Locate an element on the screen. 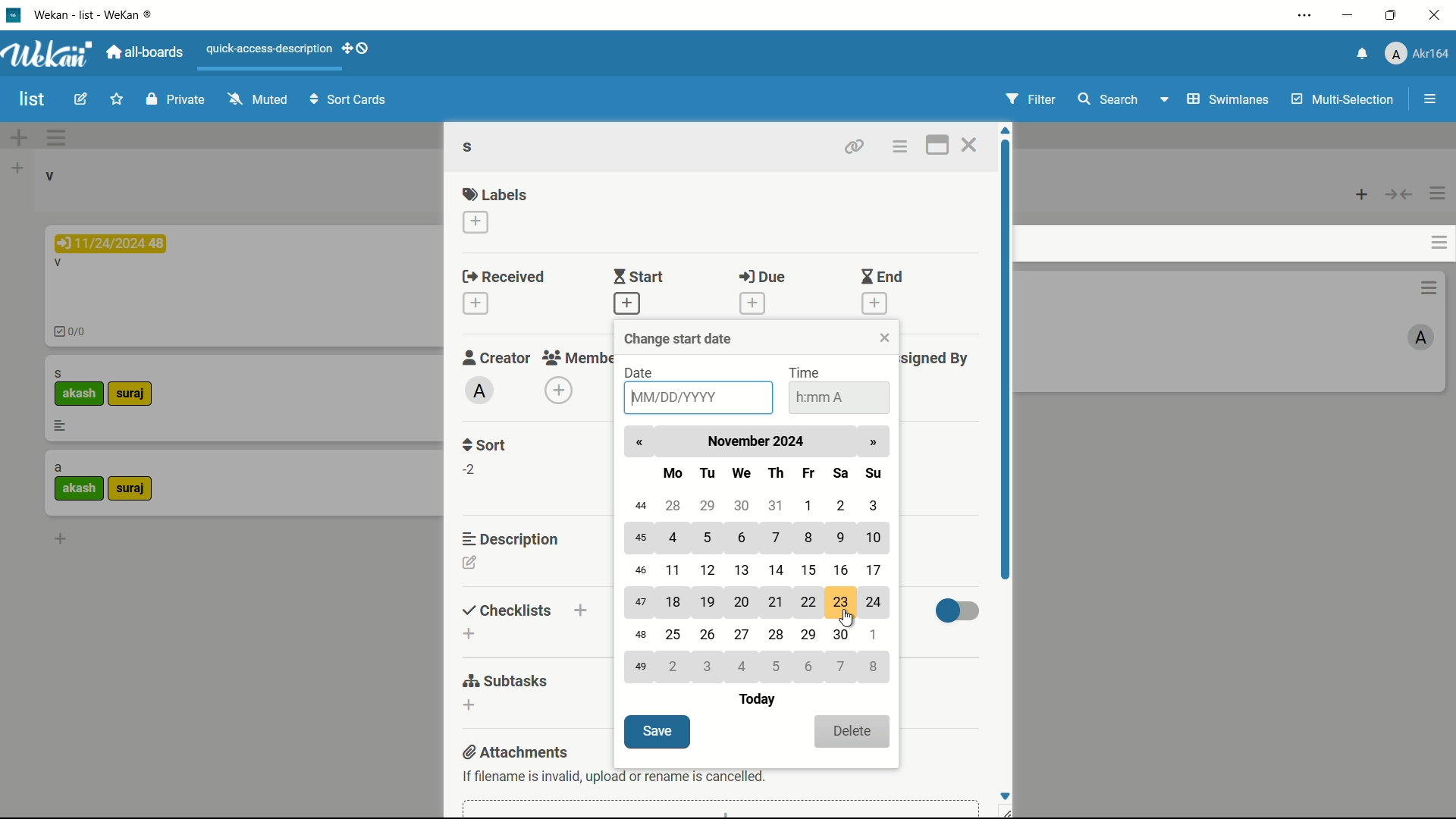 Image resolution: width=1456 pixels, height=819 pixels. add due date is located at coordinates (752, 303).